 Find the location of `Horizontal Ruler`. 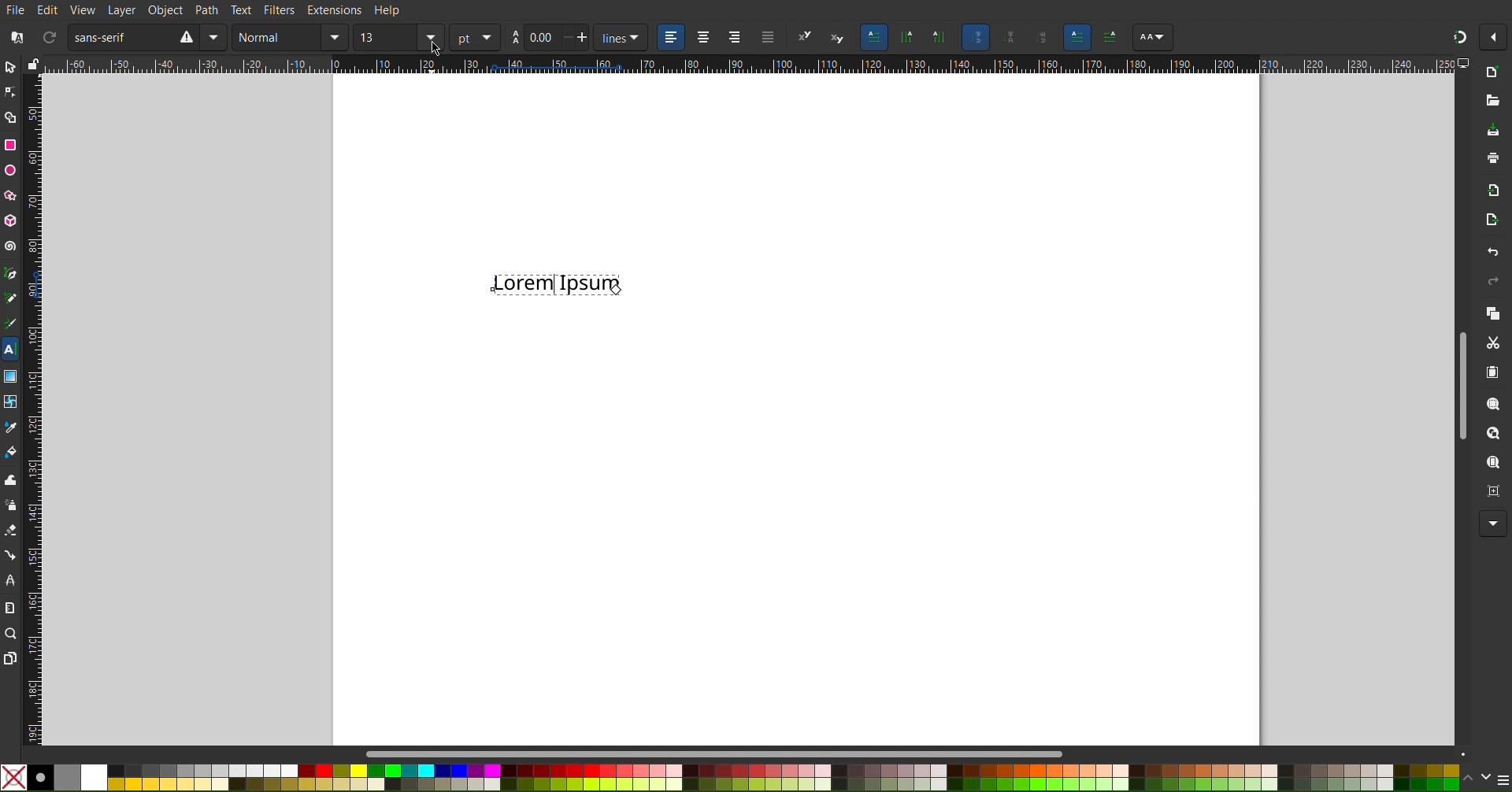

Horizontal Ruler is located at coordinates (750, 65).